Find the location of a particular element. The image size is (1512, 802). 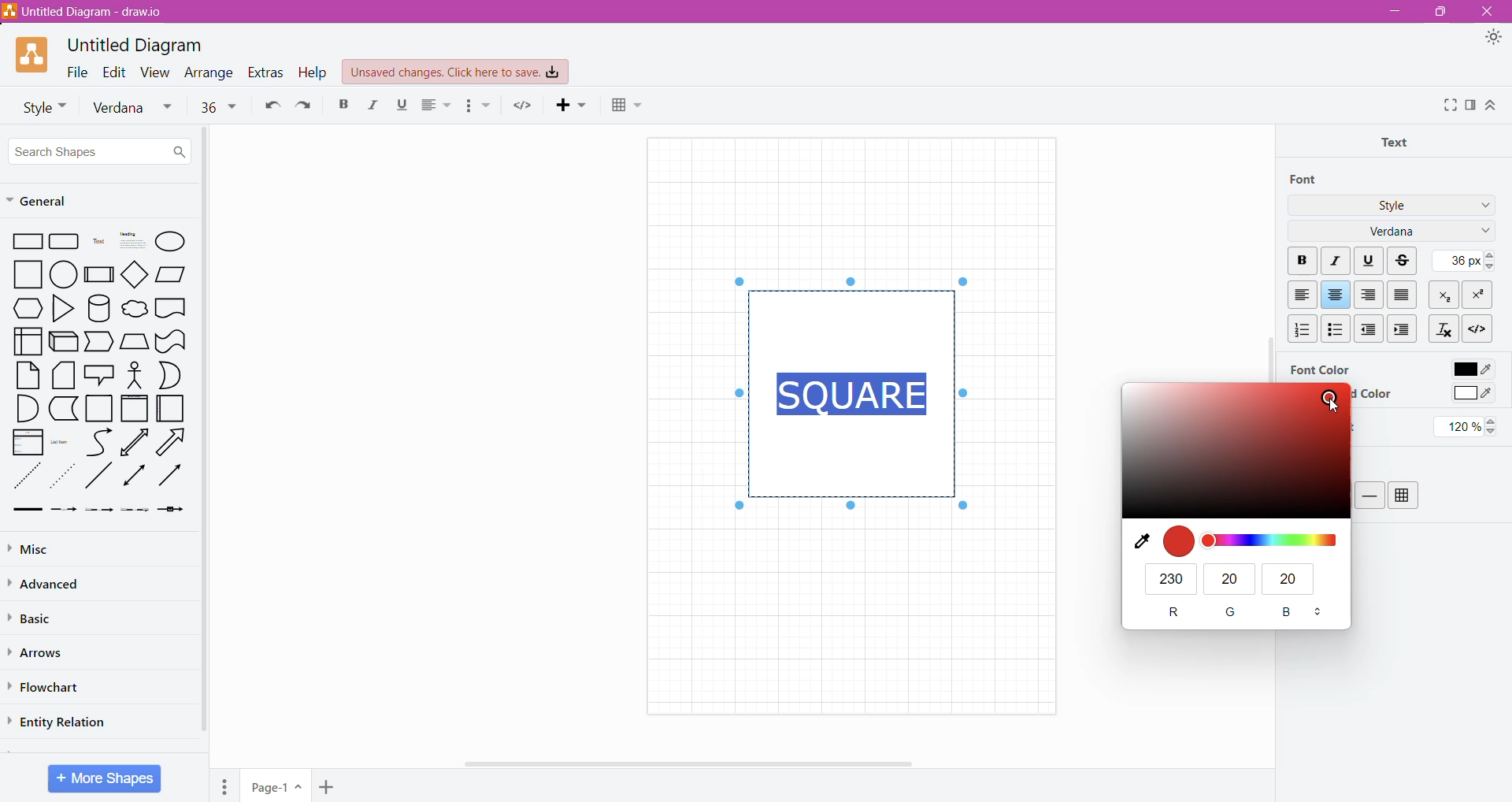

Thin Arrow is located at coordinates (98, 510).